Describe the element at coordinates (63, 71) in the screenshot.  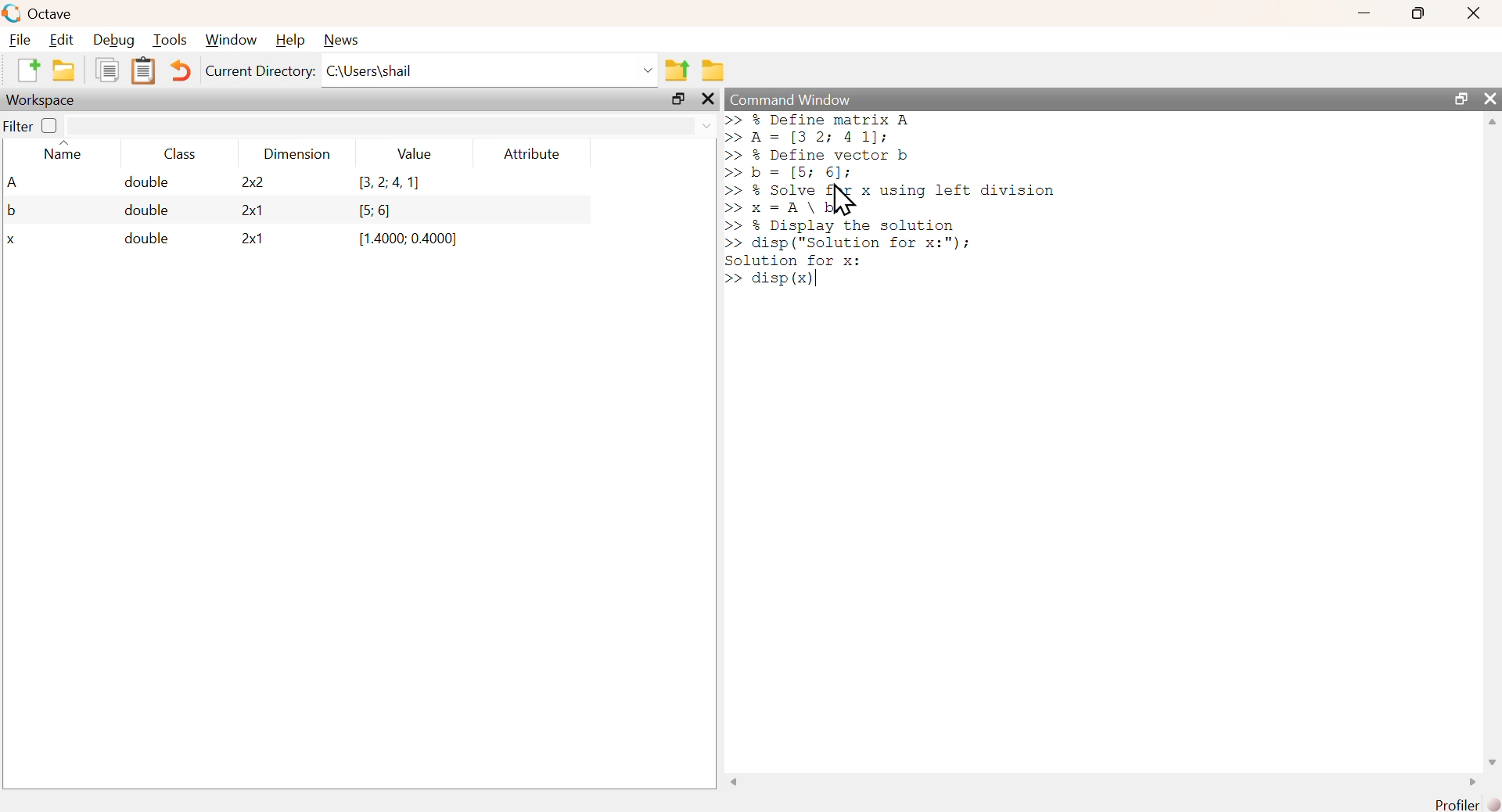
I see `open an existing file in editor` at that location.